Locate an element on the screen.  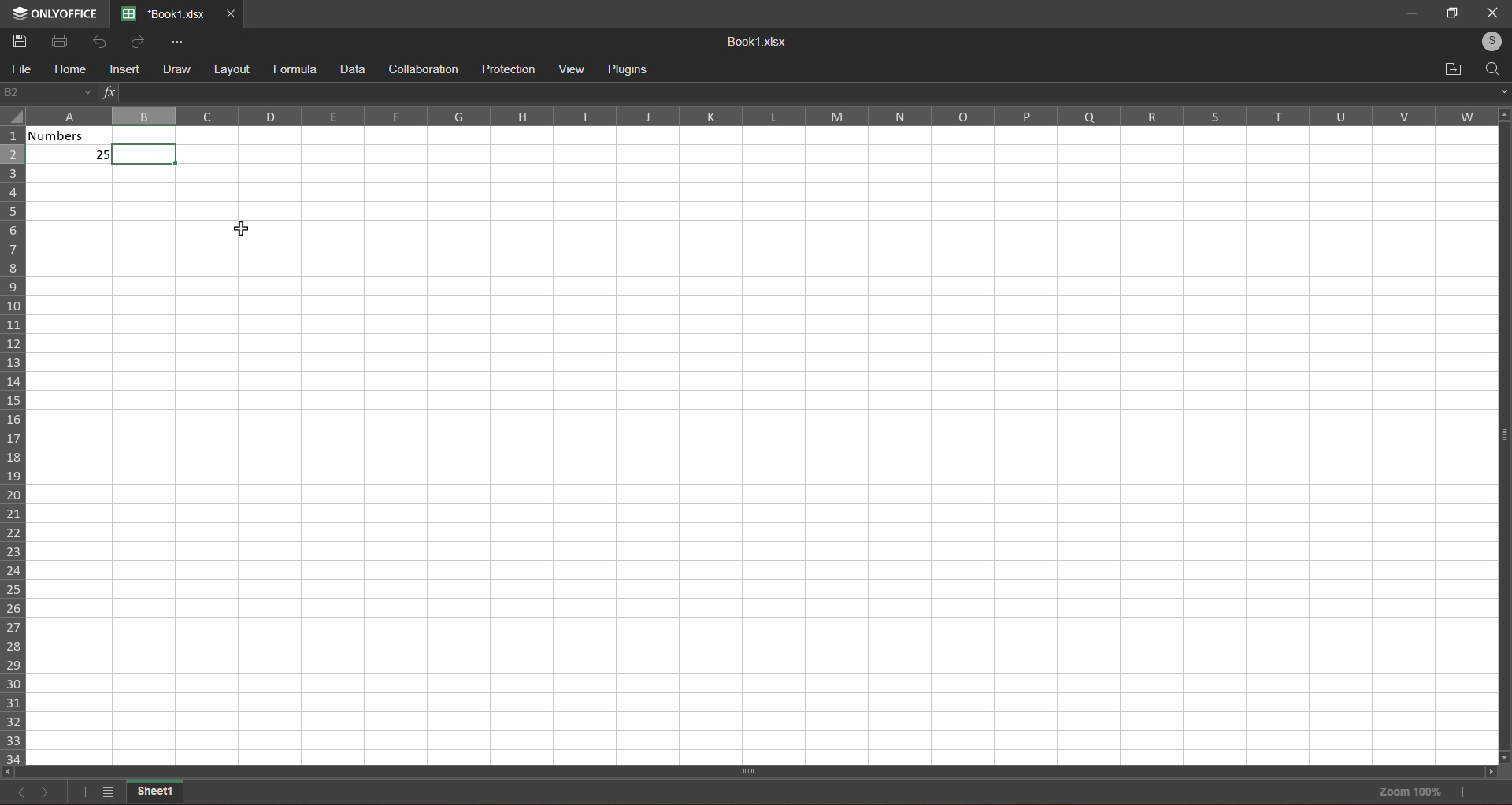
scroll down is located at coordinates (1506, 756).